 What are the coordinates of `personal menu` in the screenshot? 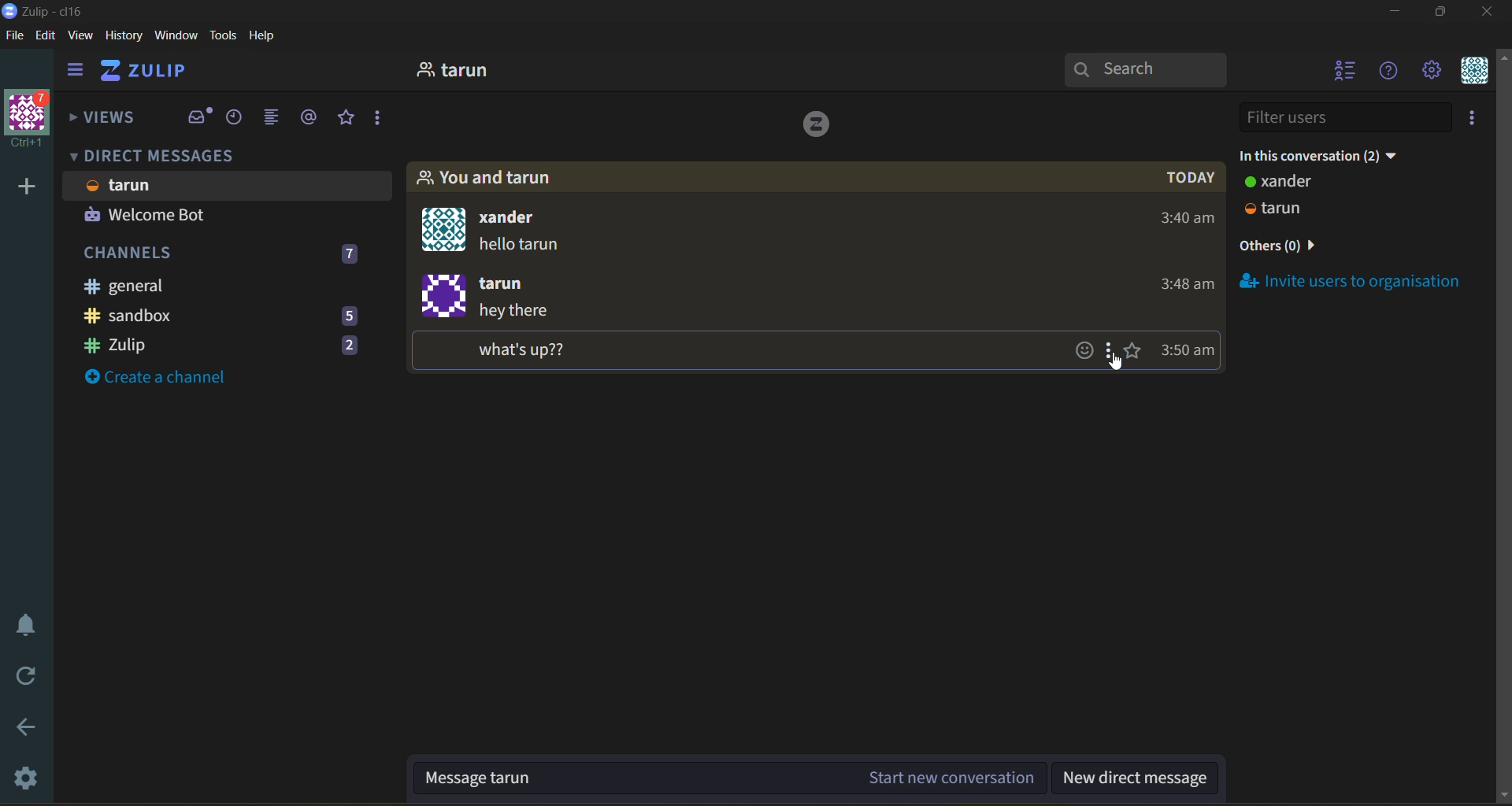 It's located at (1473, 72).